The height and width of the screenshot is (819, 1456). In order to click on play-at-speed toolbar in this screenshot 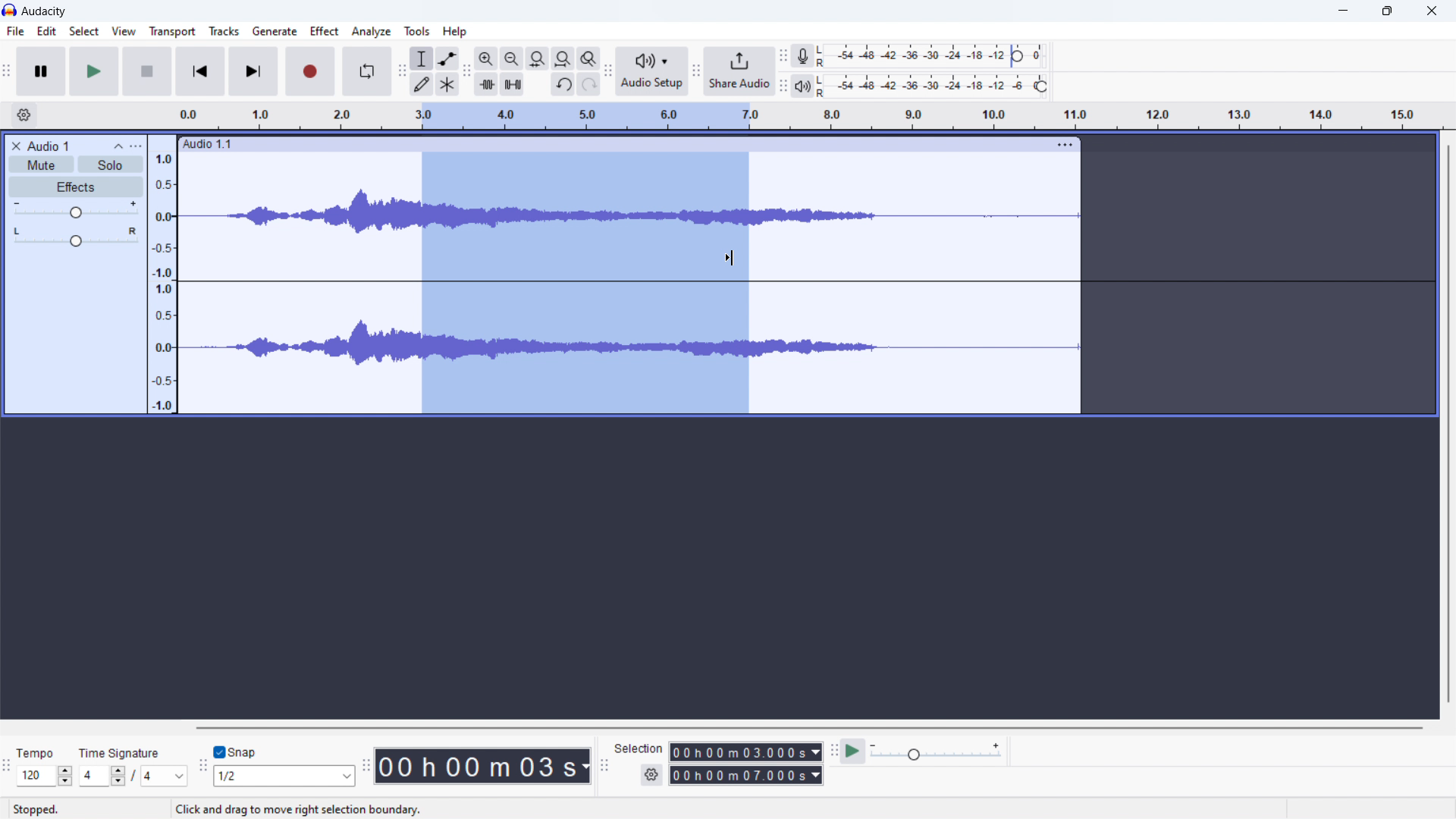, I will do `click(835, 750)`.